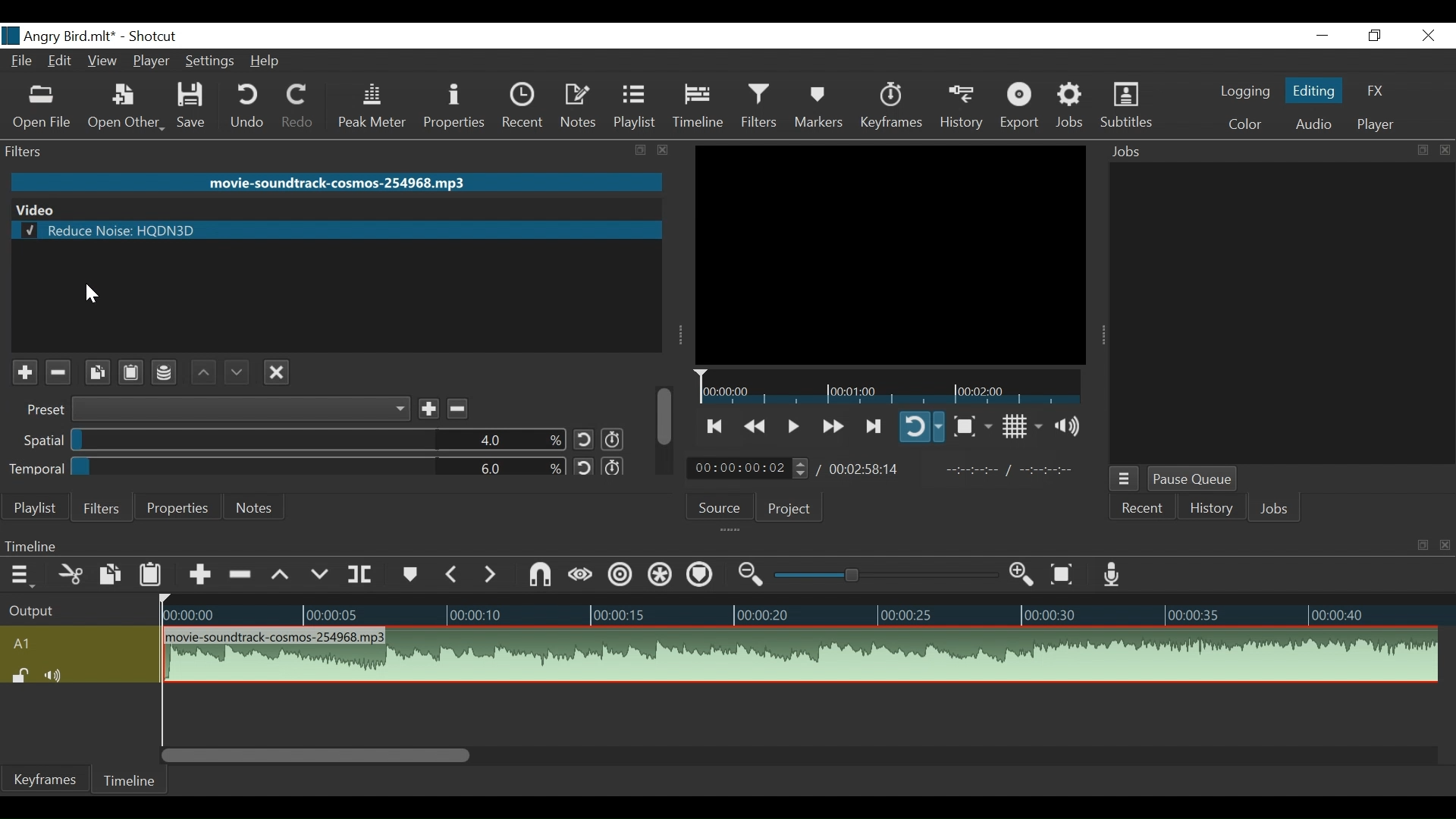  What do you see at coordinates (44, 439) in the screenshot?
I see `Spatial` at bounding box center [44, 439].